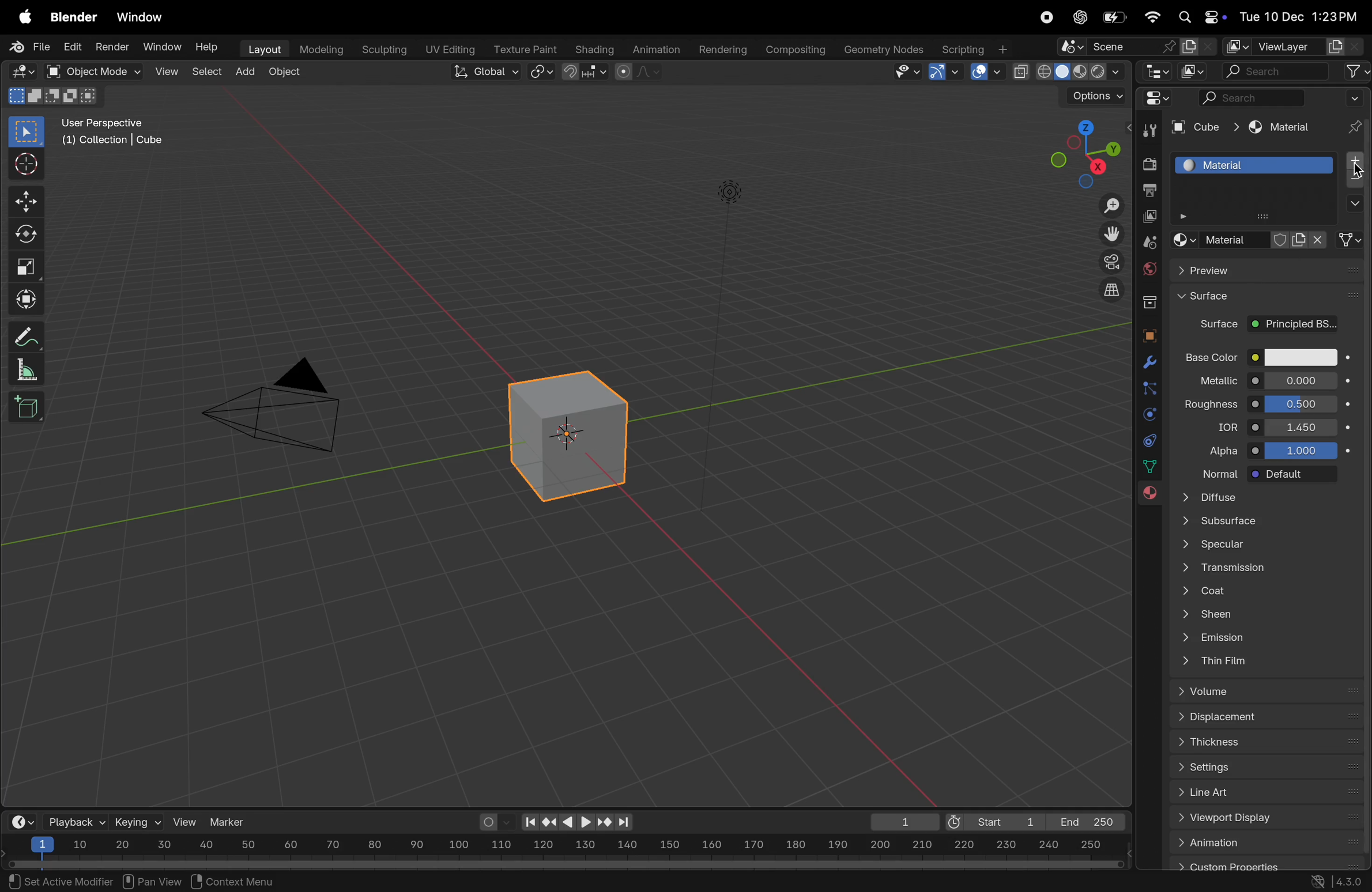  What do you see at coordinates (262, 48) in the screenshot?
I see `Layout` at bounding box center [262, 48].